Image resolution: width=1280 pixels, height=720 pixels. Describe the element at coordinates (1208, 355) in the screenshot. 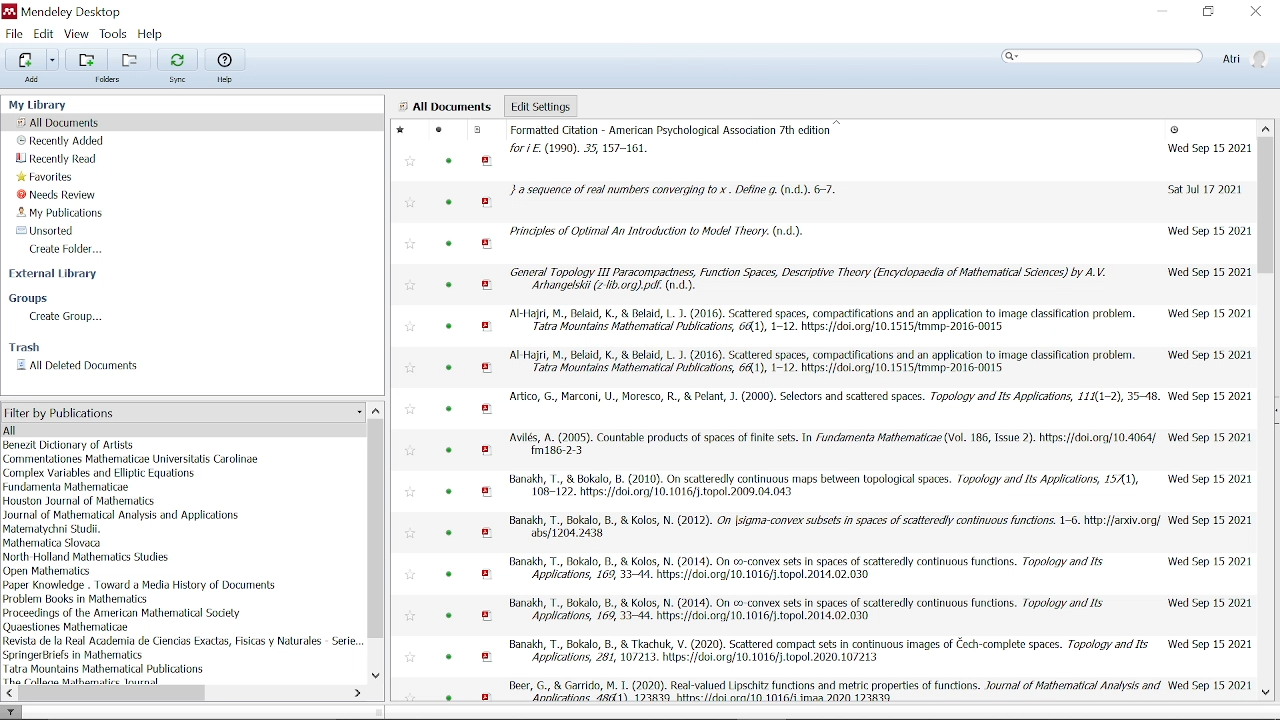

I see `date time` at that location.